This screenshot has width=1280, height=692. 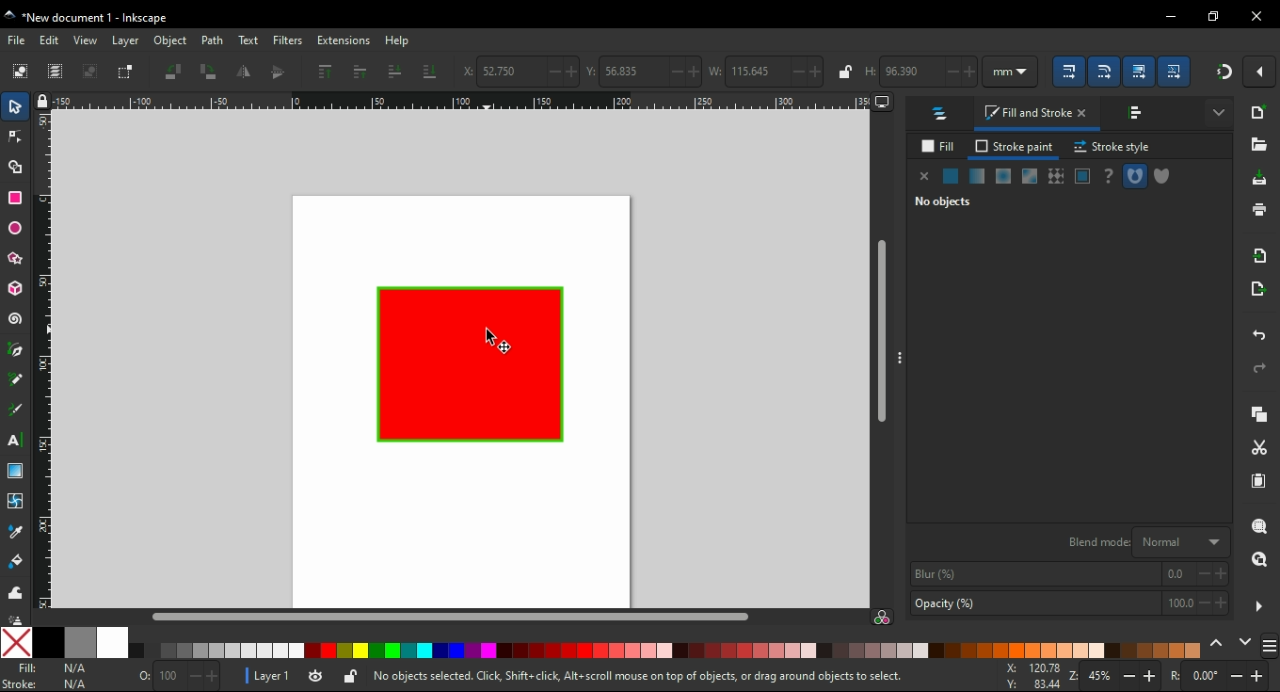 I want to click on extensions, so click(x=342, y=41).